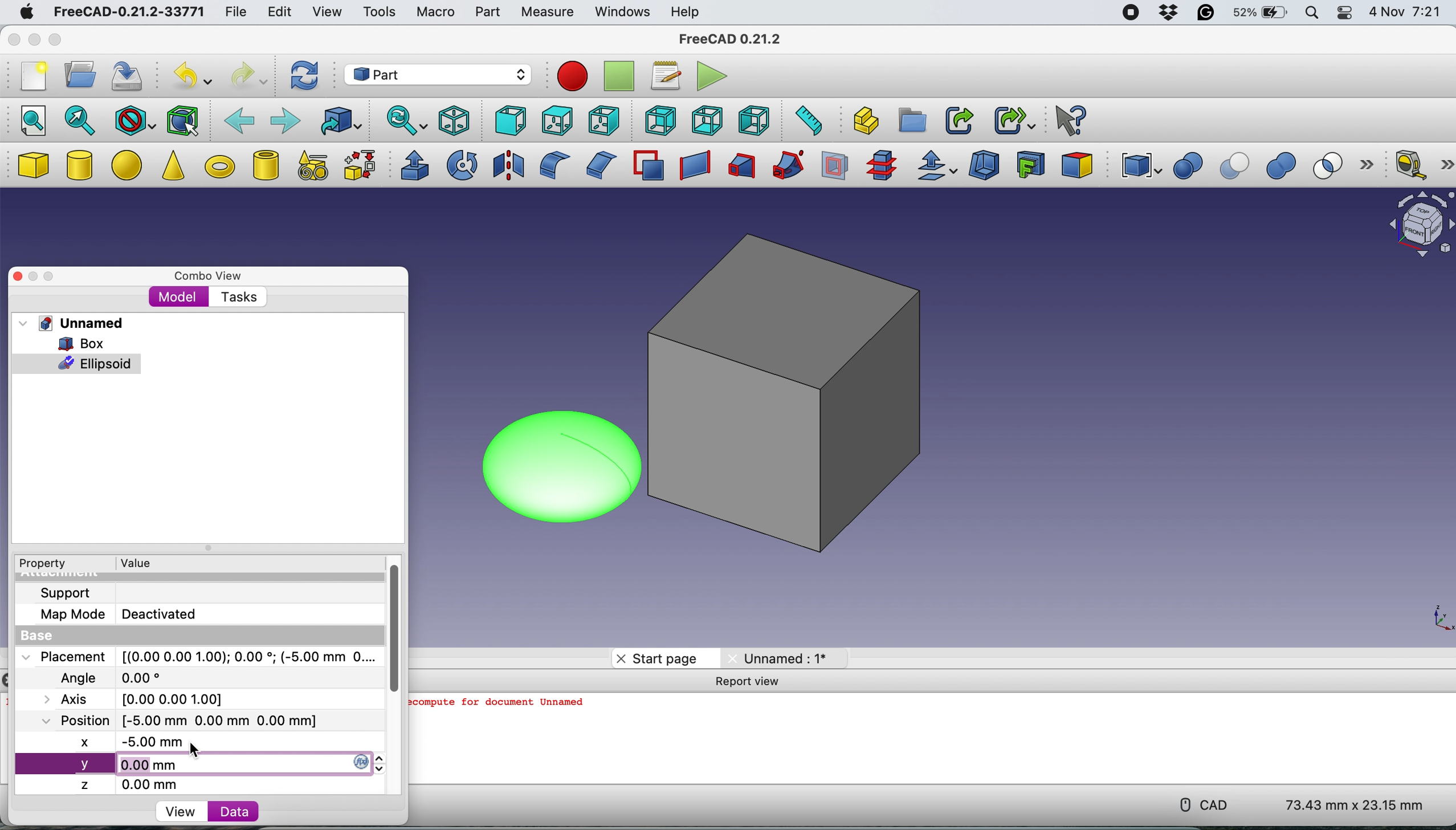 The image size is (1456, 830). Describe the element at coordinates (239, 119) in the screenshot. I see `backward` at that location.